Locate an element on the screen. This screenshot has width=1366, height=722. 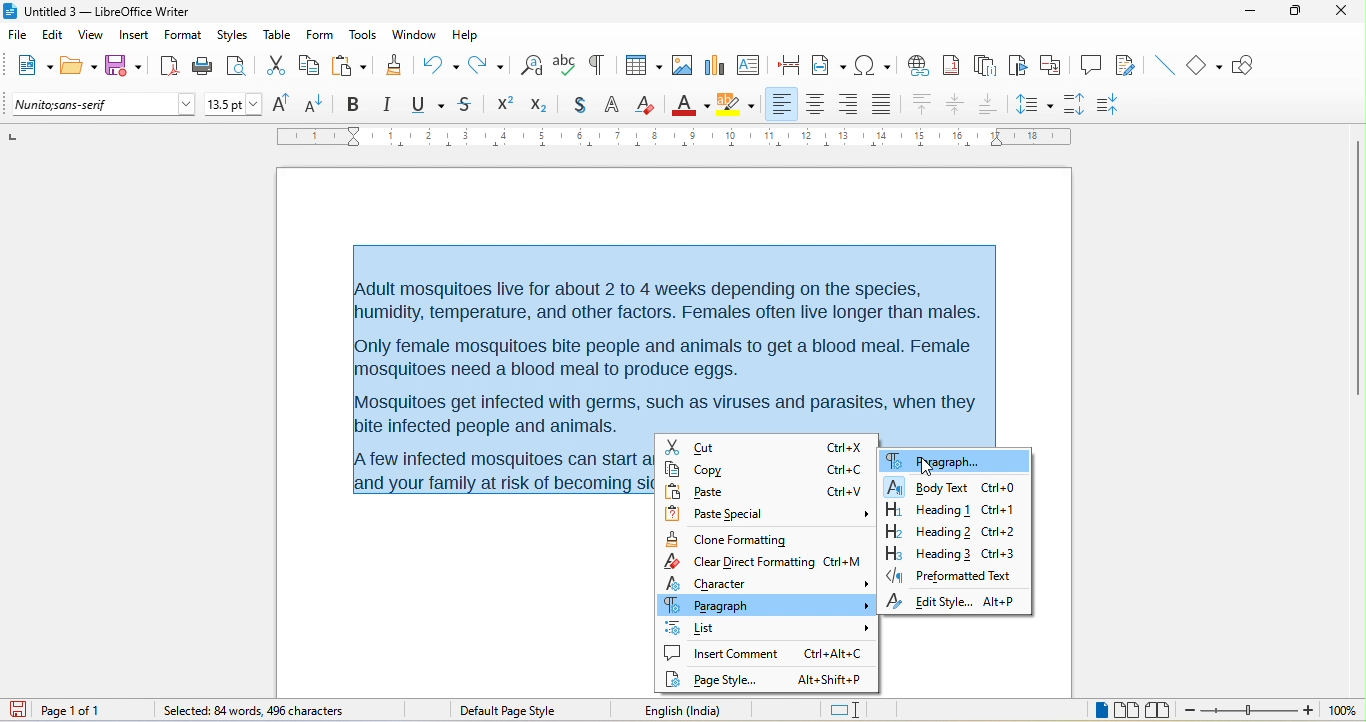
standard selection is located at coordinates (847, 711).